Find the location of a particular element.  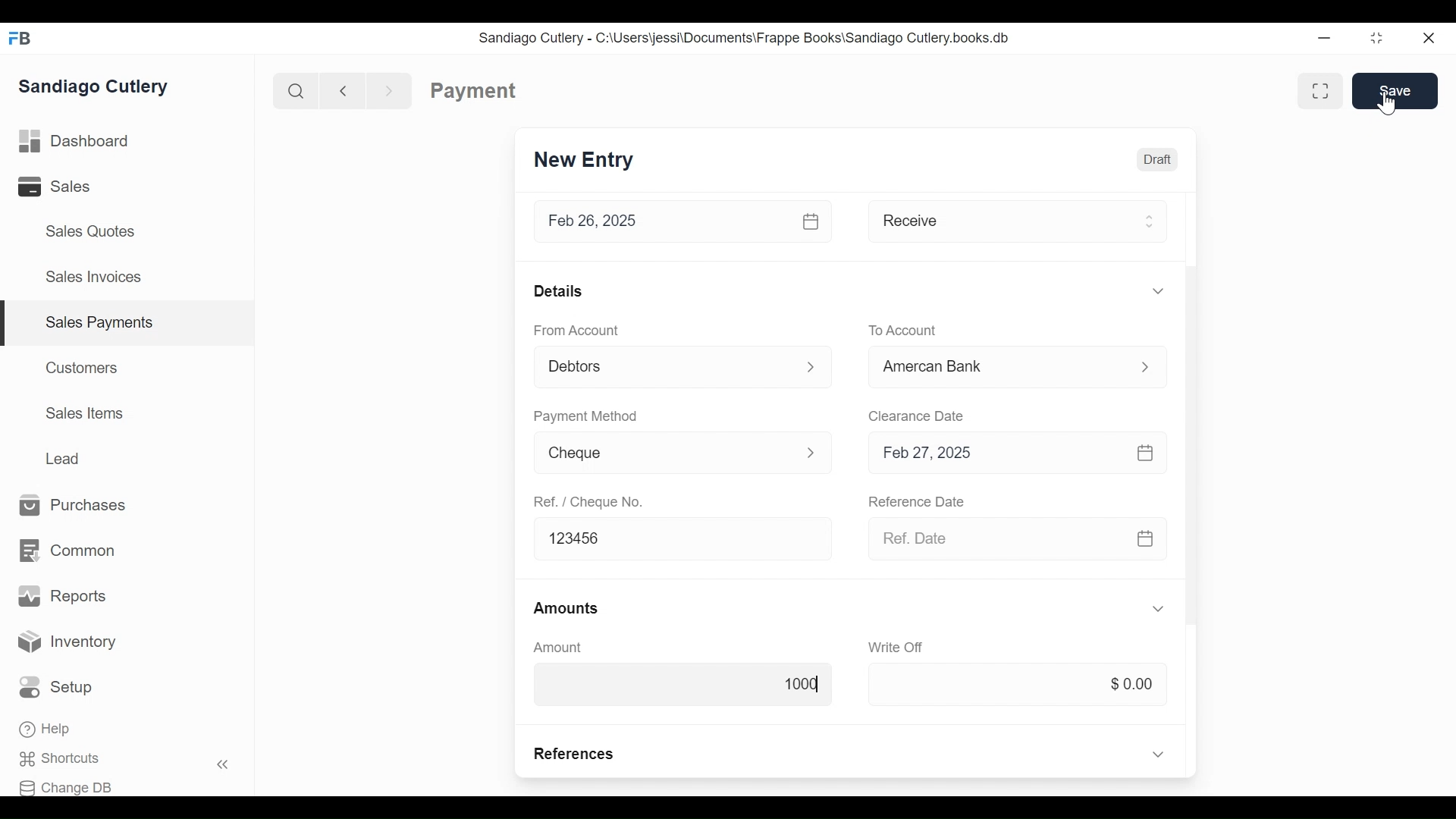

1000 is located at coordinates (682, 682).